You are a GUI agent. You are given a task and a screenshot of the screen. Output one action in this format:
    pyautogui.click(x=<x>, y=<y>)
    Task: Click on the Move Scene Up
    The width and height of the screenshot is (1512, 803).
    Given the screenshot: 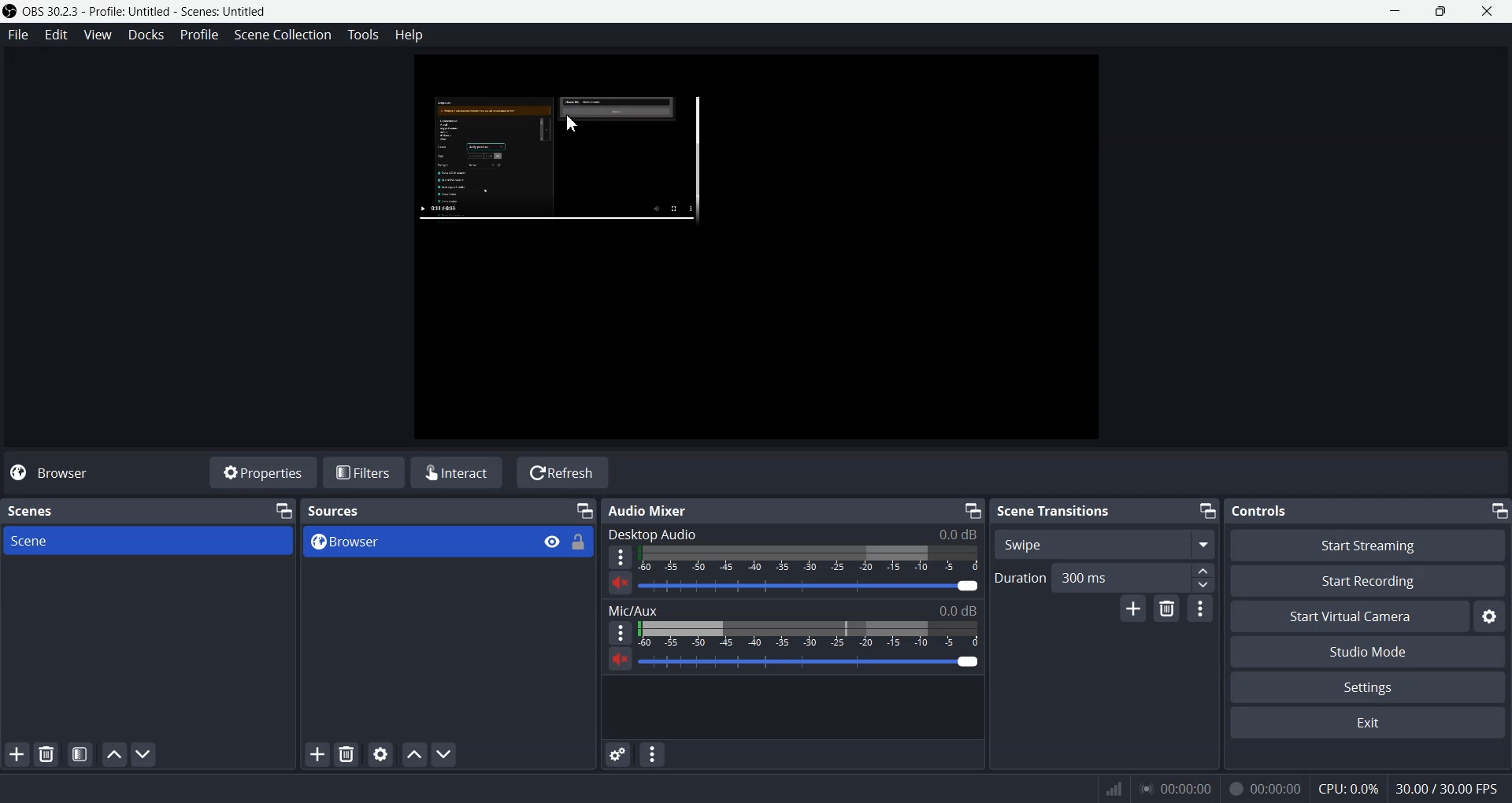 What is the action you would take?
    pyautogui.click(x=415, y=753)
    